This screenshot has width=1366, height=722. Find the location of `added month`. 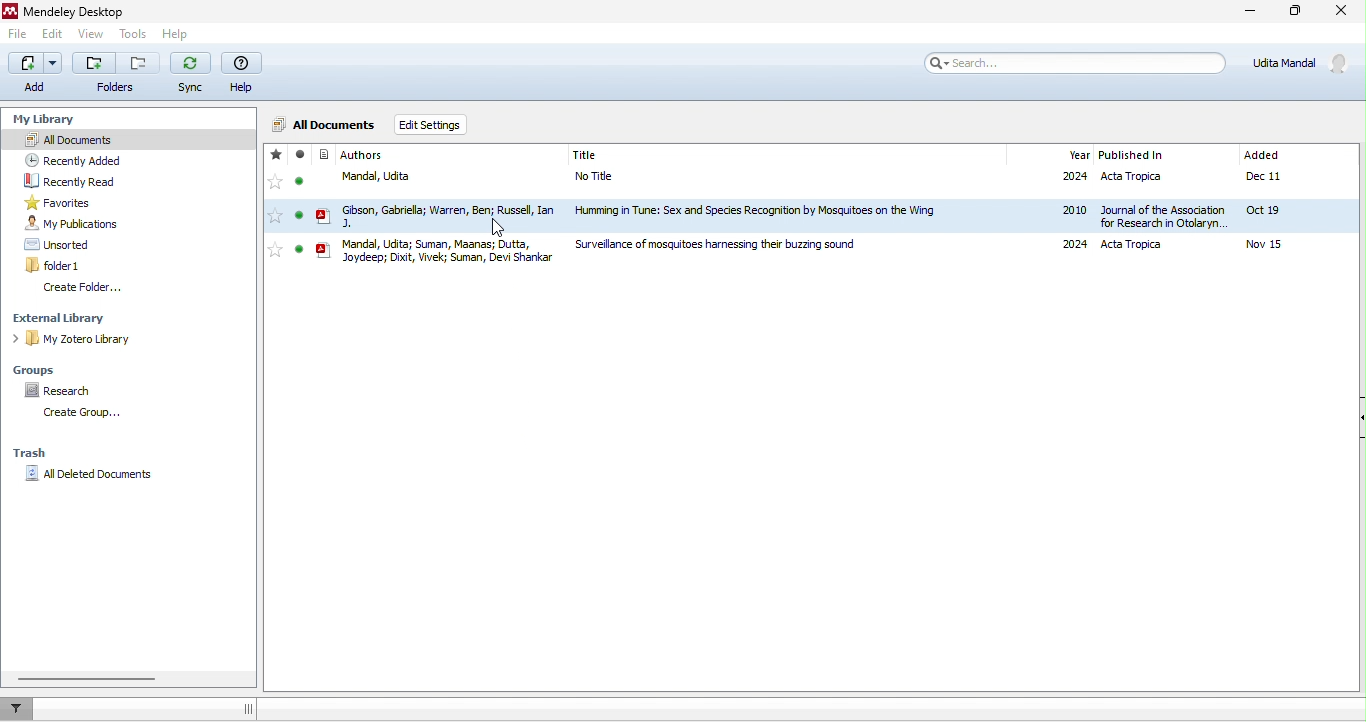

added month is located at coordinates (1261, 155).